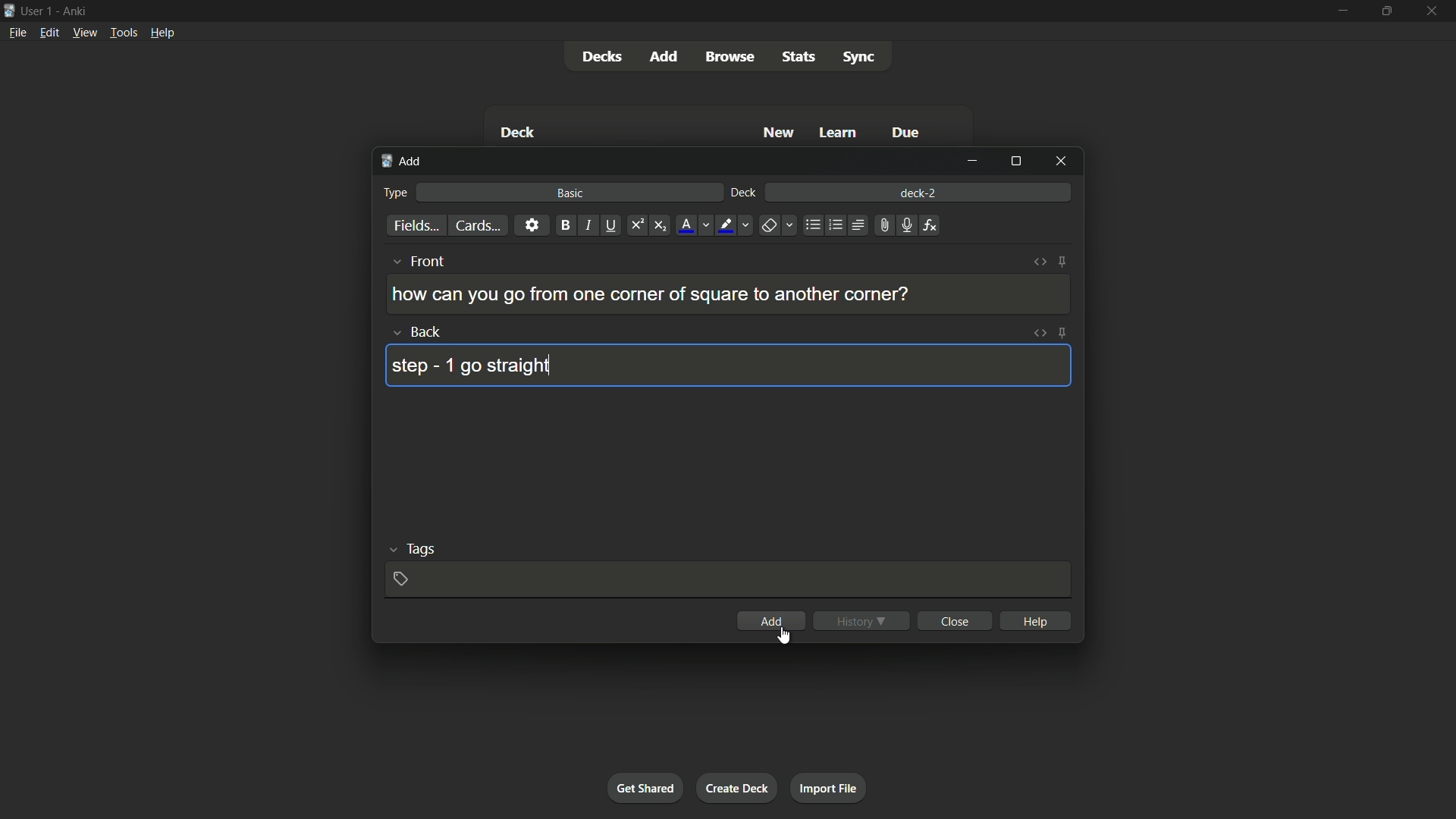  I want to click on close window, so click(1058, 161).